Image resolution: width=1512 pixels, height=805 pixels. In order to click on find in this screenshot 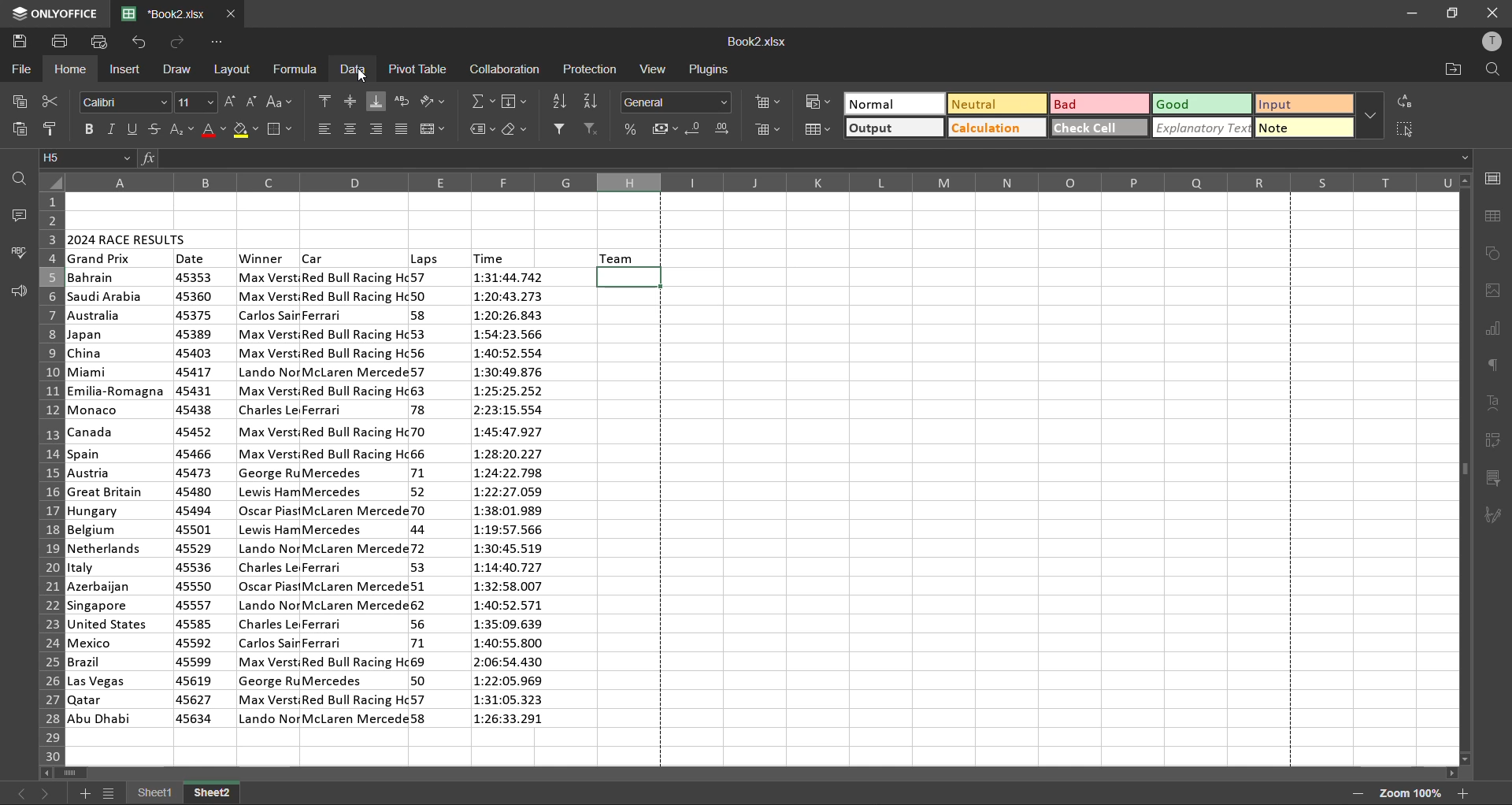, I will do `click(22, 178)`.